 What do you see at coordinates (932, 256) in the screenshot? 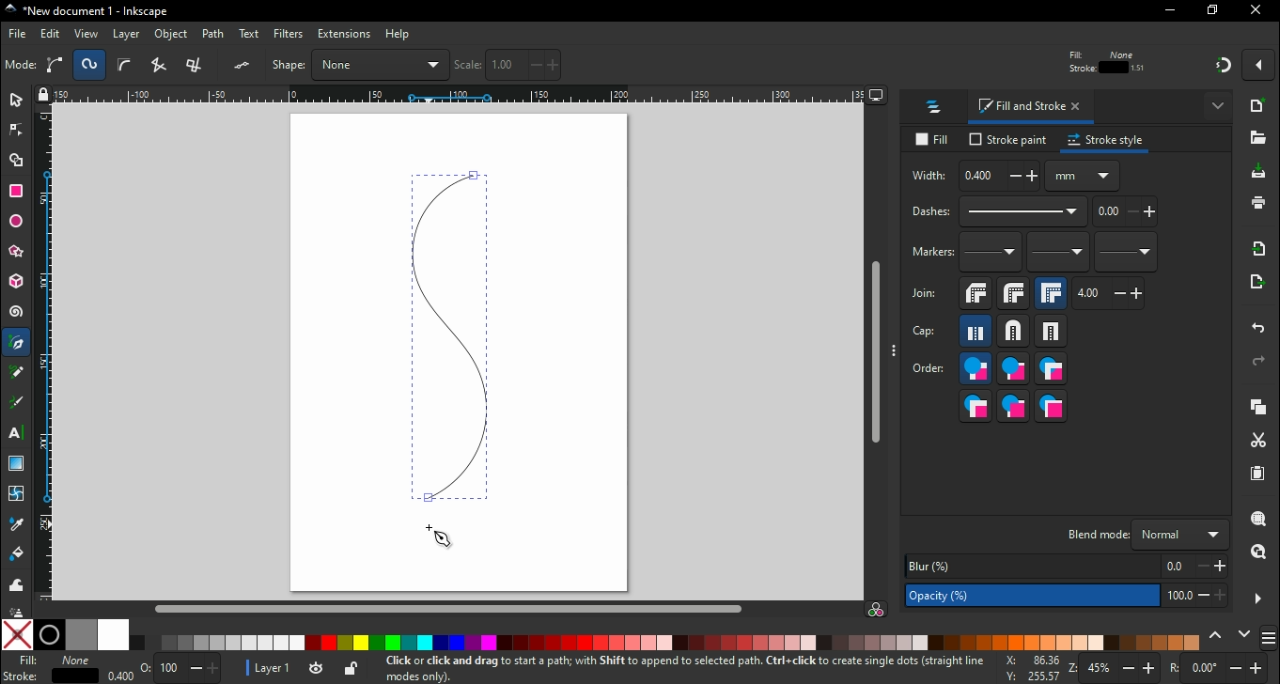
I see `markers` at bounding box center [932, 256].